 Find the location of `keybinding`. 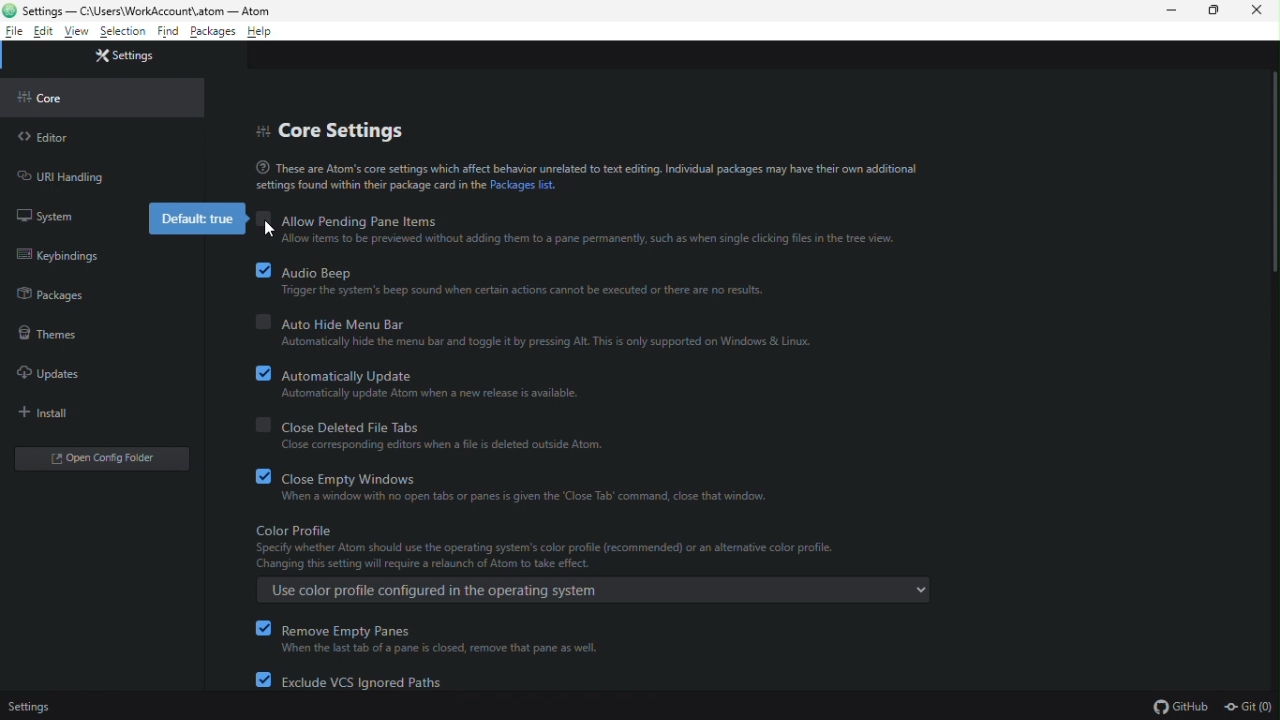

keybinding is located at coordinates (61, 257).